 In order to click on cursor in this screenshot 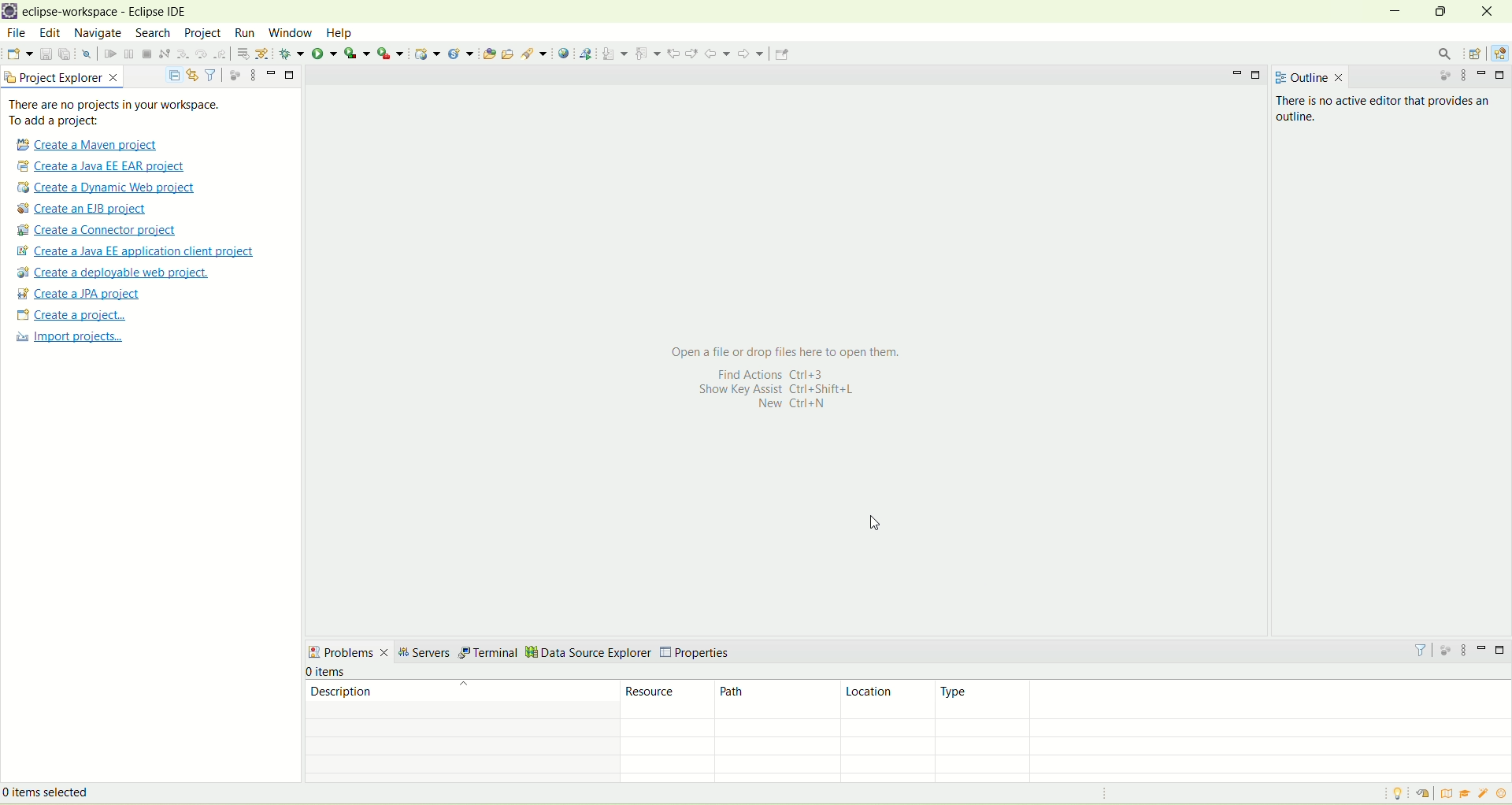, I will do `click(291, 43)`.